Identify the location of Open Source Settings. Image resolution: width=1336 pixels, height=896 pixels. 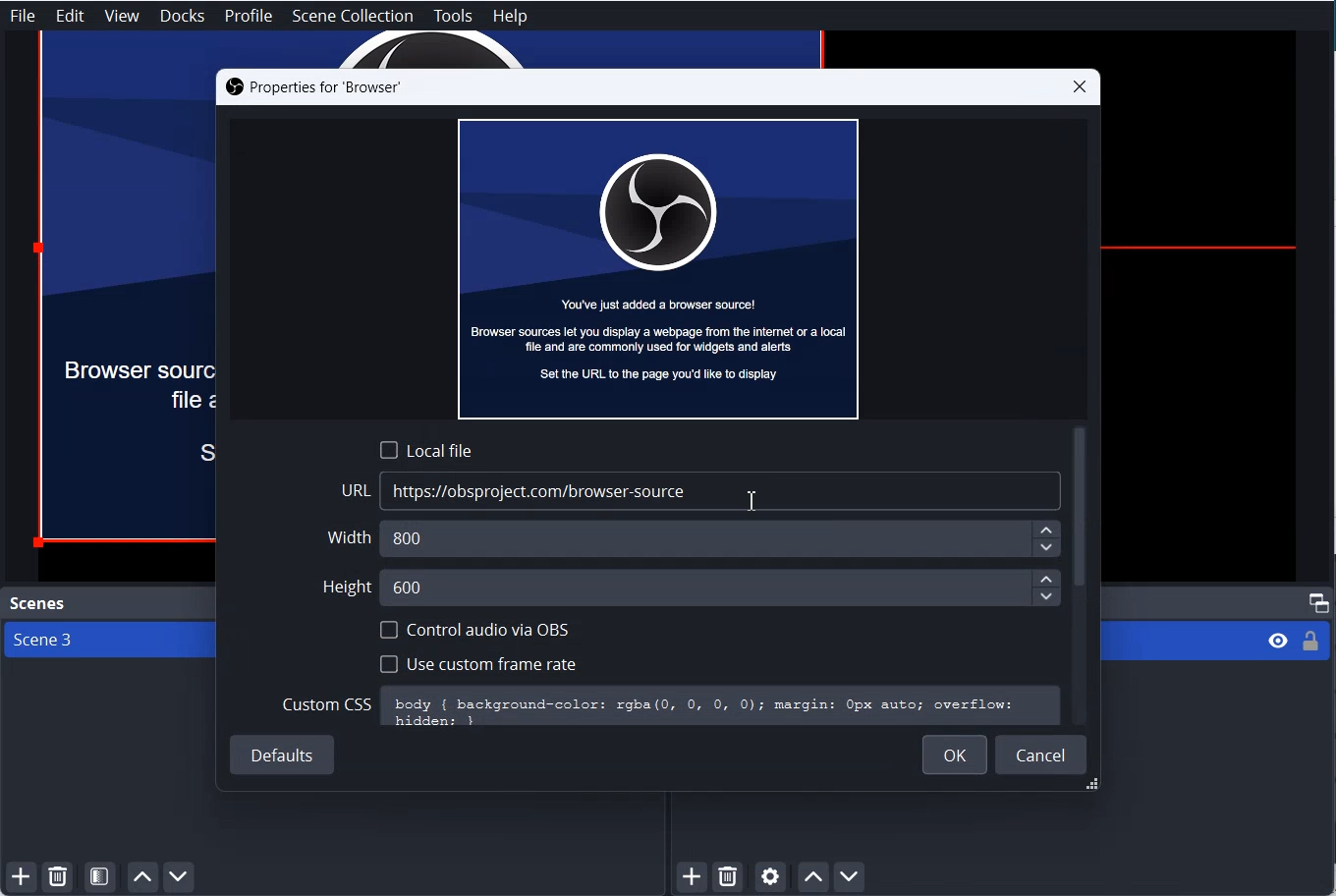
(769, 878).